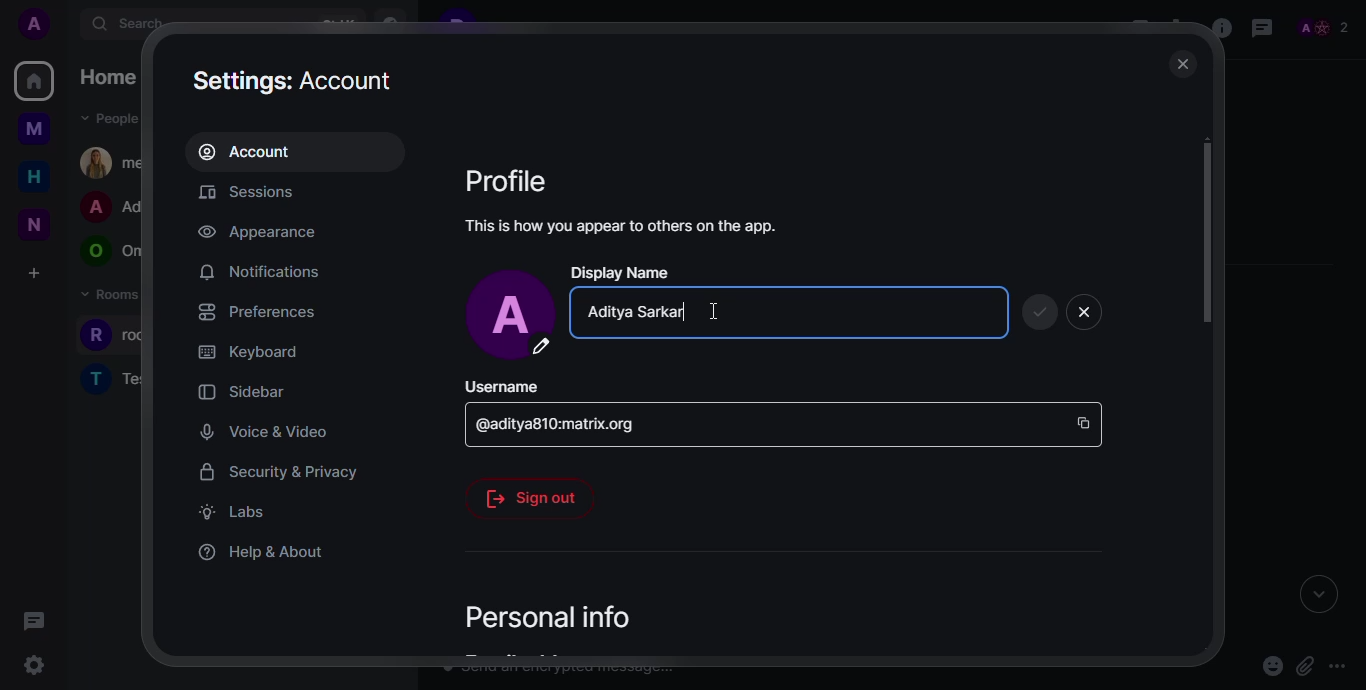 Image resolution: width=1366 pixels, height=690 pixels. I want to click on id, so click(565, 426).